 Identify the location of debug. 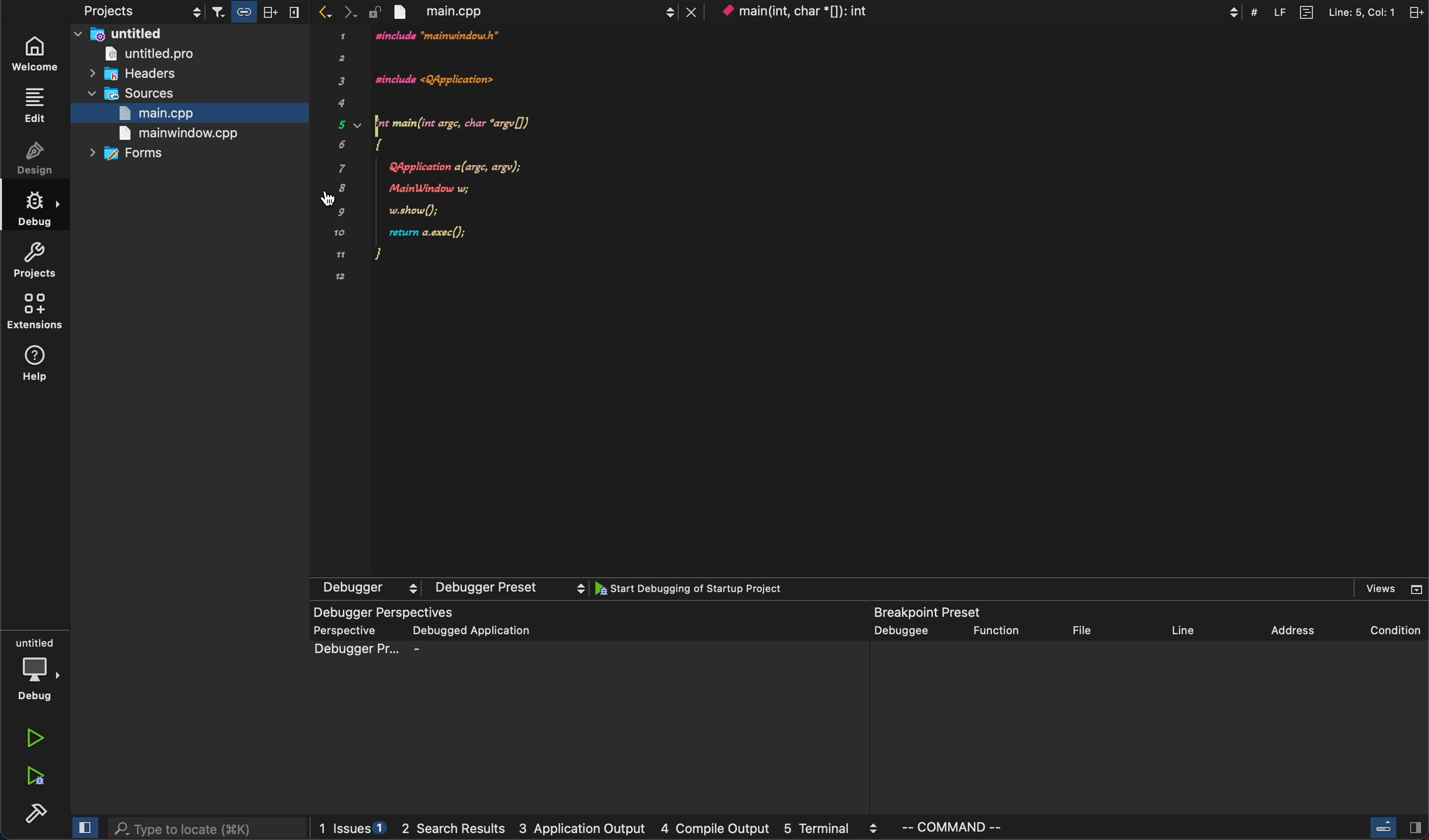
(36, 209).